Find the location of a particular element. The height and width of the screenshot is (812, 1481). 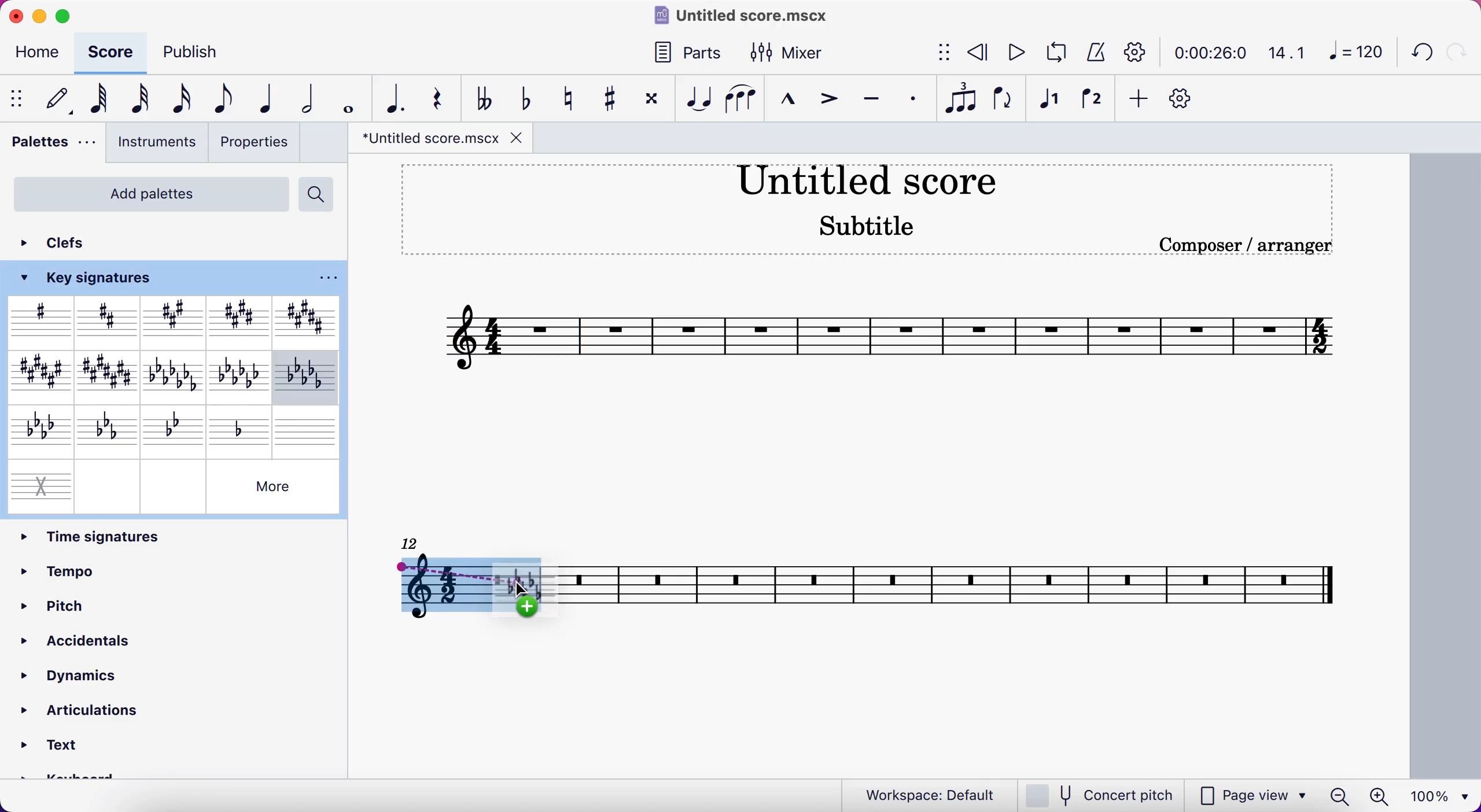

C major is located at coordinates (109, 375).